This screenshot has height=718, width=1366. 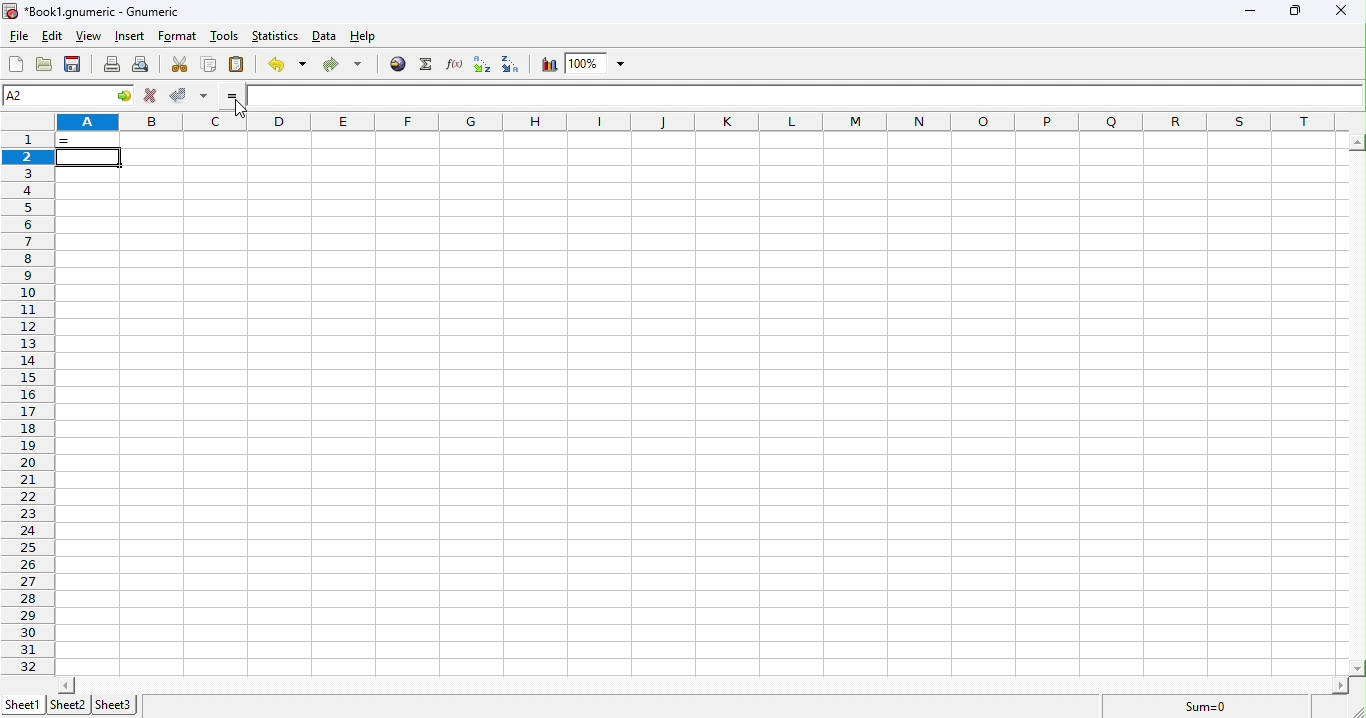 What do you see at coordinates (55, 93) in the screenshot?
I see `cell name A1` at bounding box center [55, 93].